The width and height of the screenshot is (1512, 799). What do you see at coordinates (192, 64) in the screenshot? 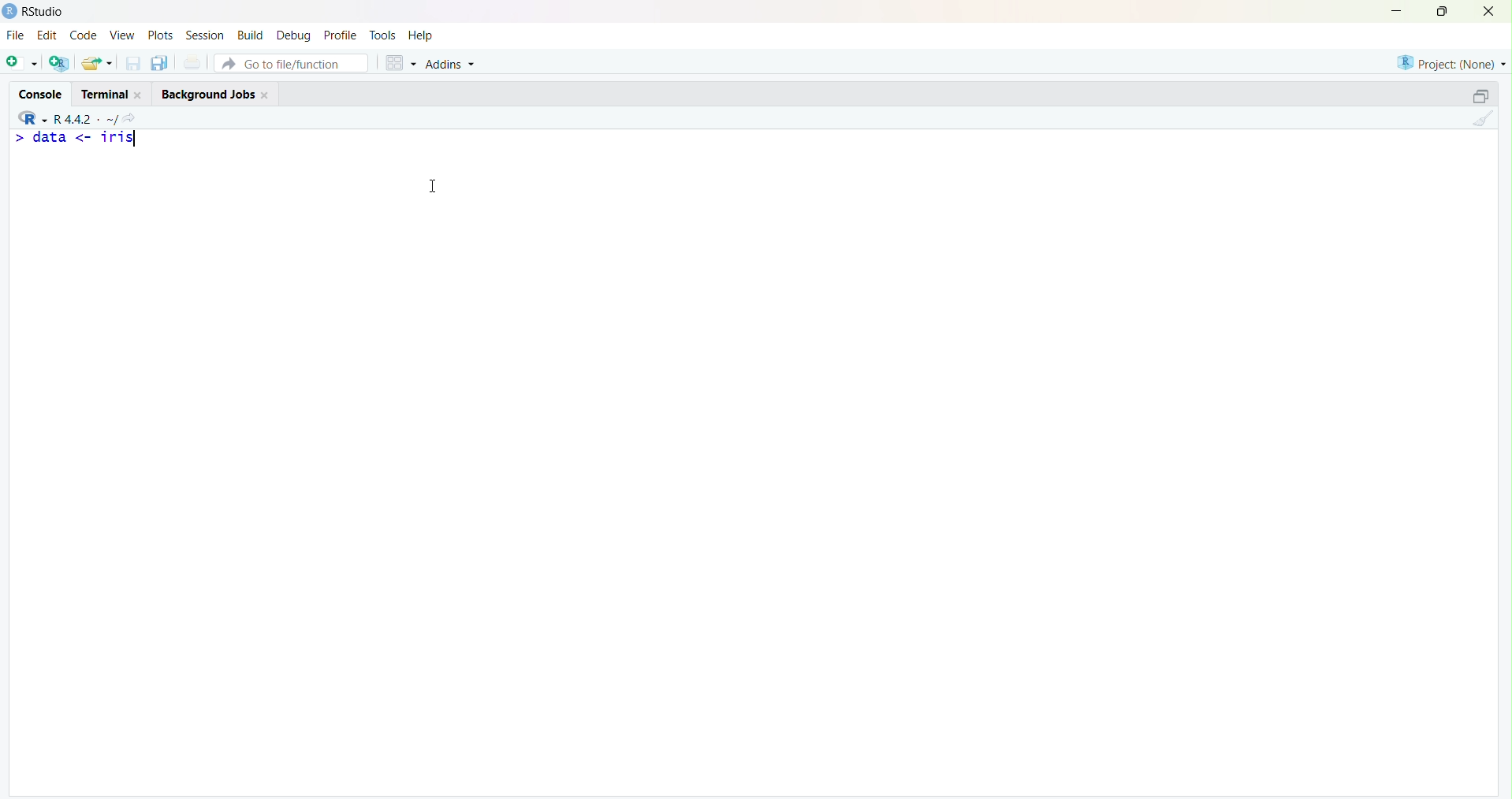
I see `Print the current file` at bounding box center [192, 64].